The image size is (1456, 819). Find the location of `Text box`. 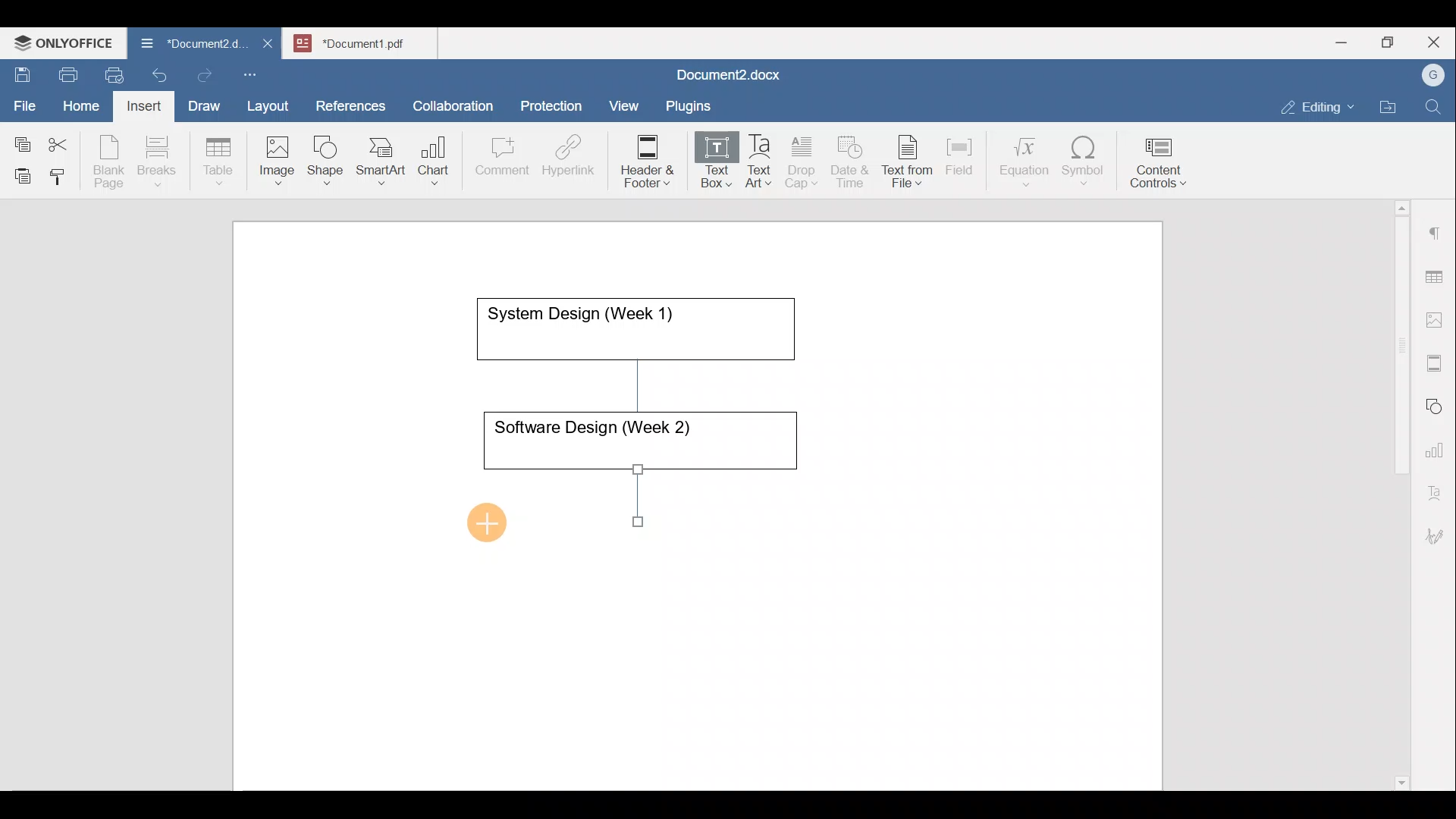

Text box is located at coordinates (706, 162).